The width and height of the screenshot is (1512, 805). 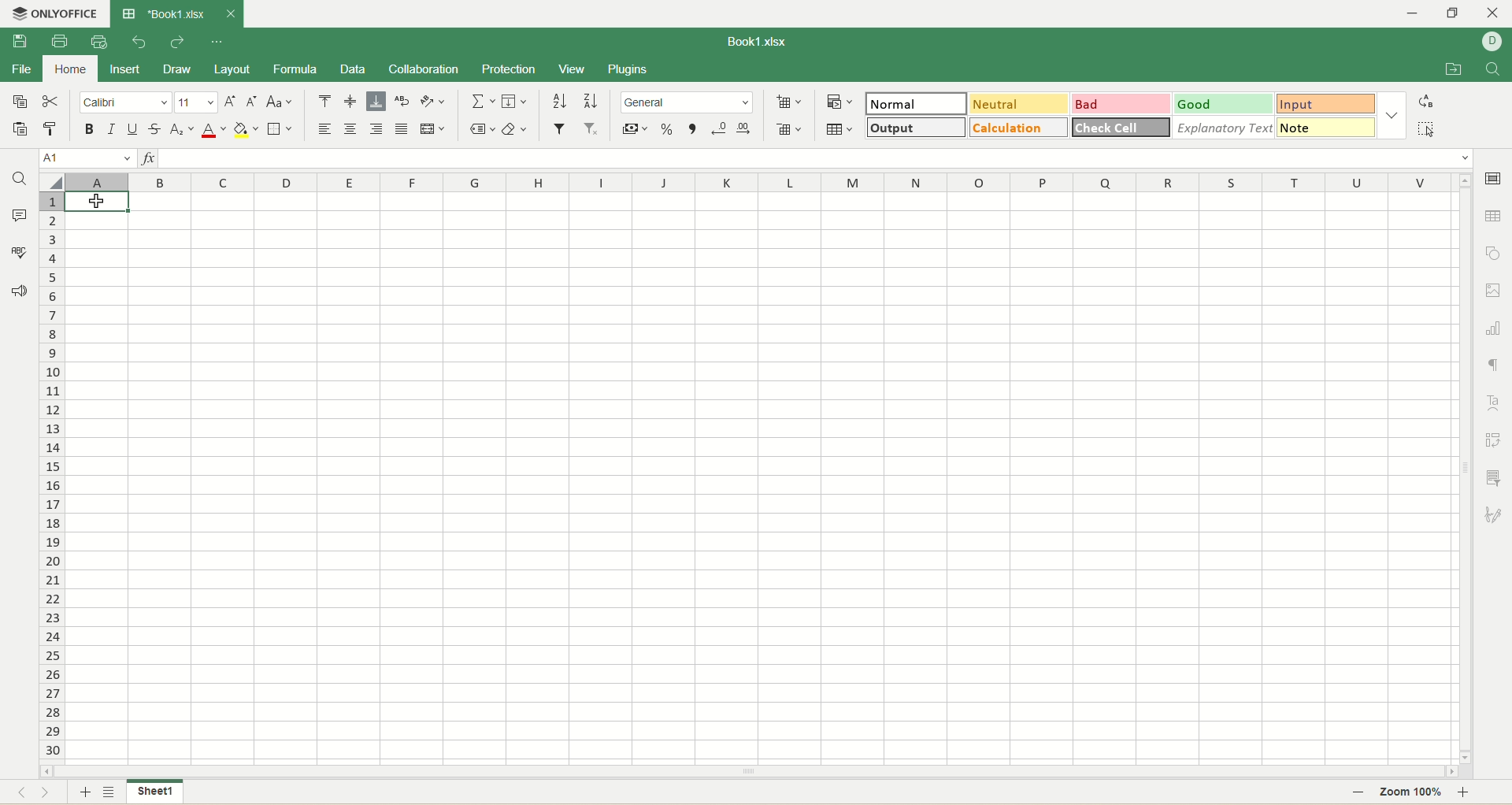 What do you see at coordinates (65, 70) in the screenshot?
I see `home` at bounding box center [65, 70].